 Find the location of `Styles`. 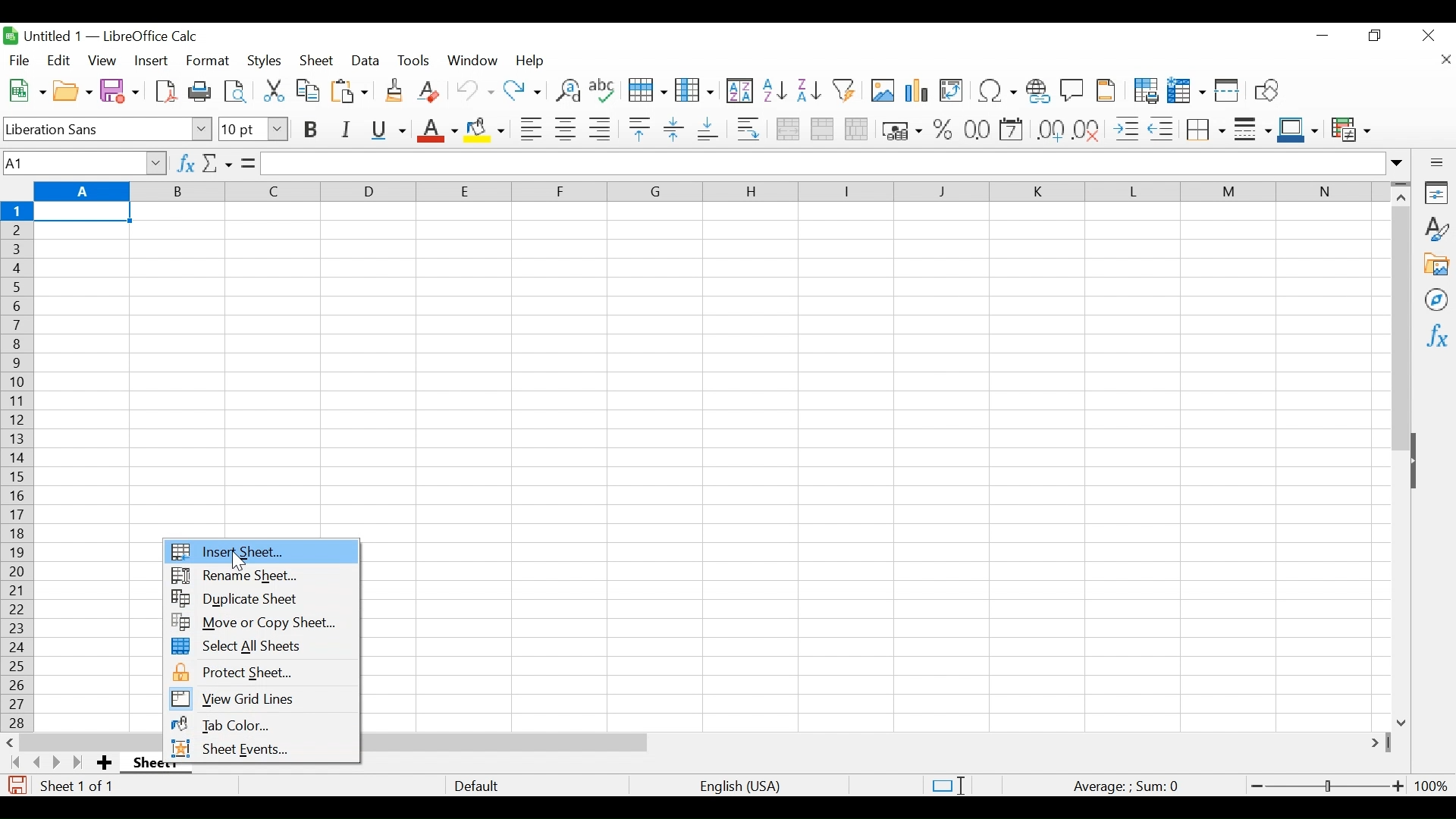

Styles is located at coordinates (262, 61).